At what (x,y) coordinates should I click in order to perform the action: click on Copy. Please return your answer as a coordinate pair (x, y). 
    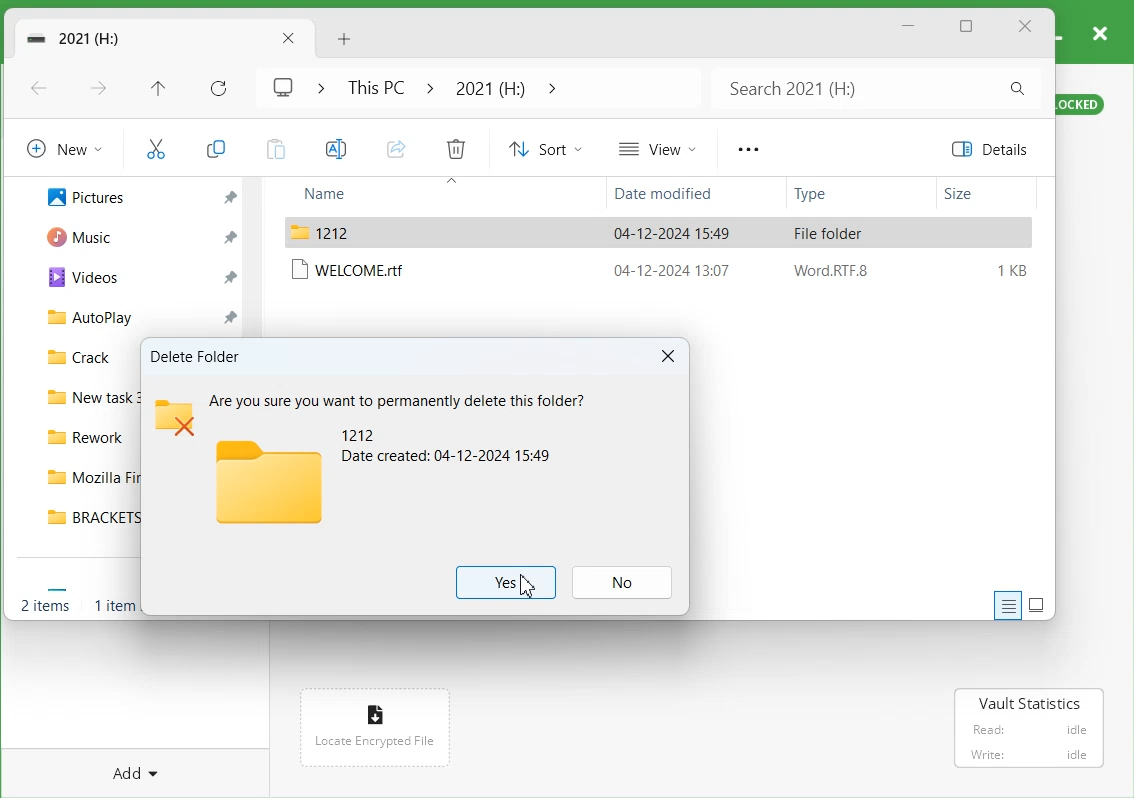
    Looking at the image, I should click on (216, 145).